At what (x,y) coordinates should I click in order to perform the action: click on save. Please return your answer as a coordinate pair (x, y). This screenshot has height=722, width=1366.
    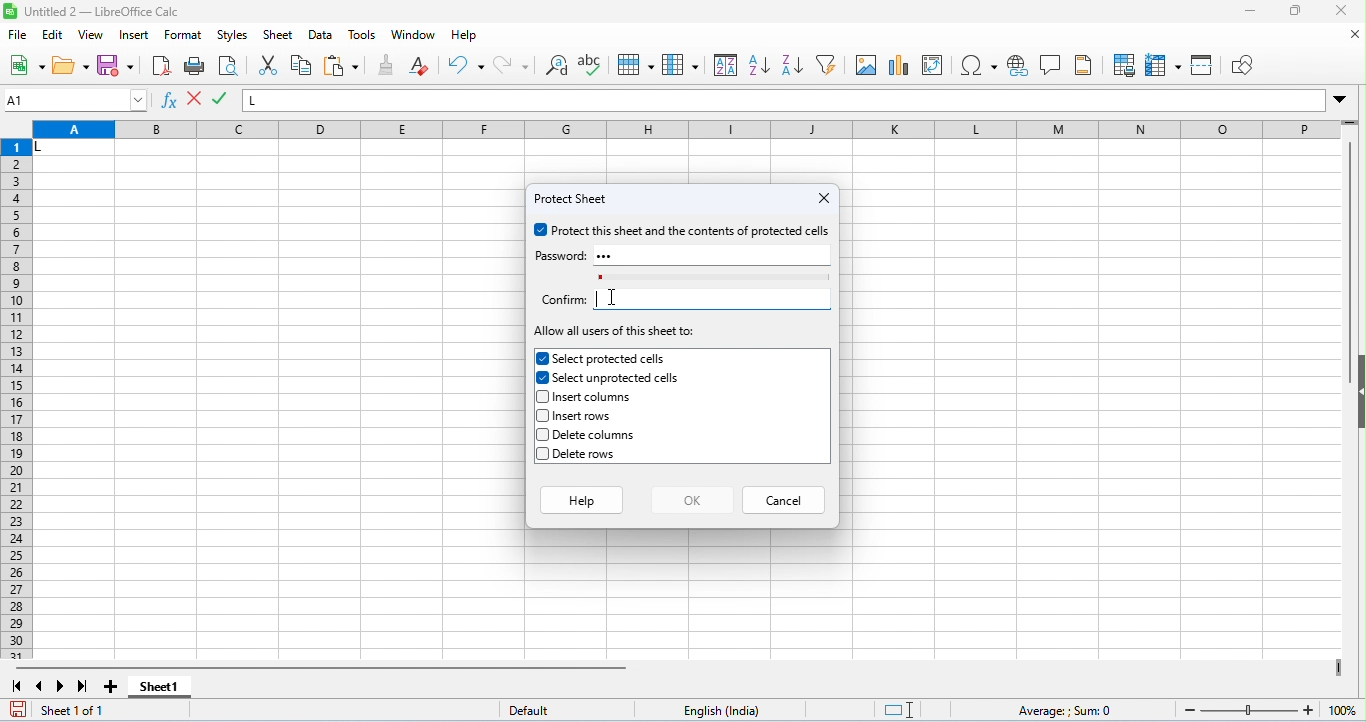
    Looking at the image, I should click on (116, 65).